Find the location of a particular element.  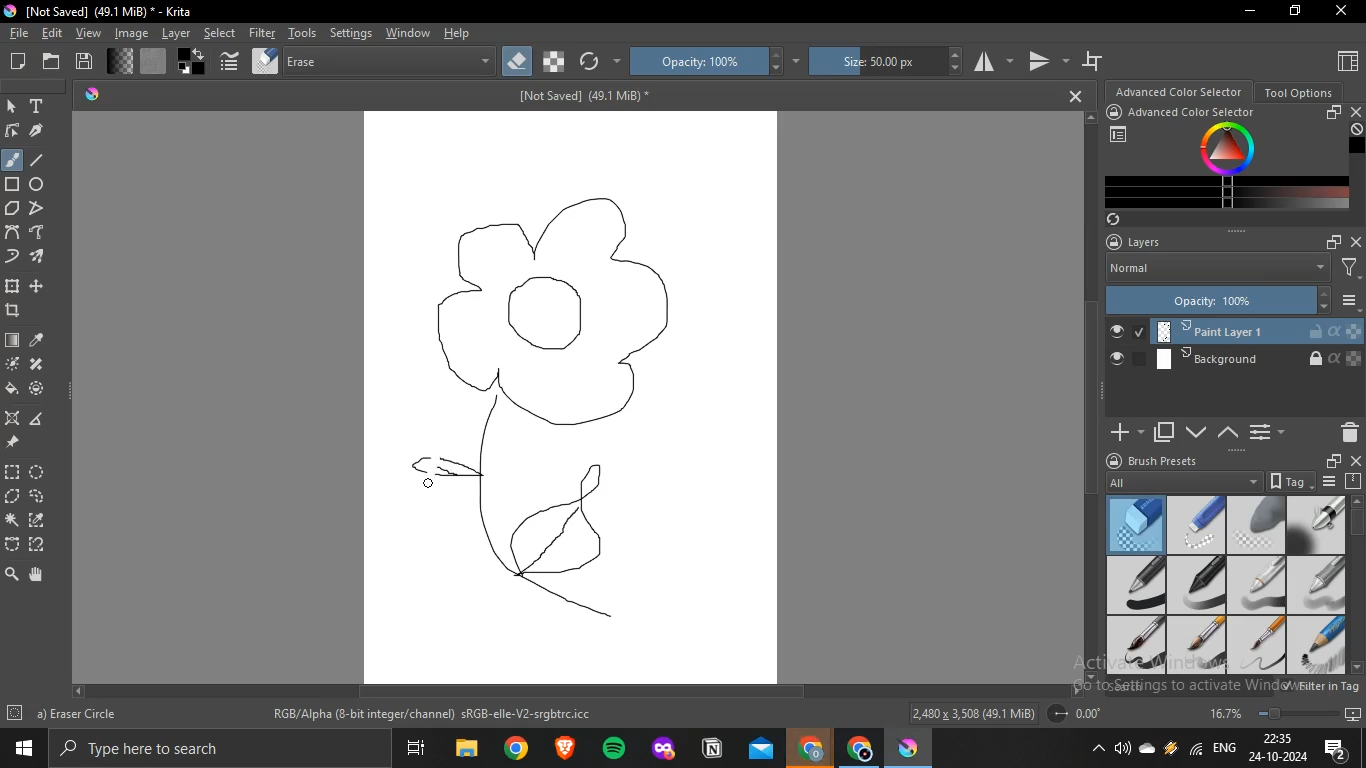

magnetic curve selection tool is located at coordinates (39, 544).